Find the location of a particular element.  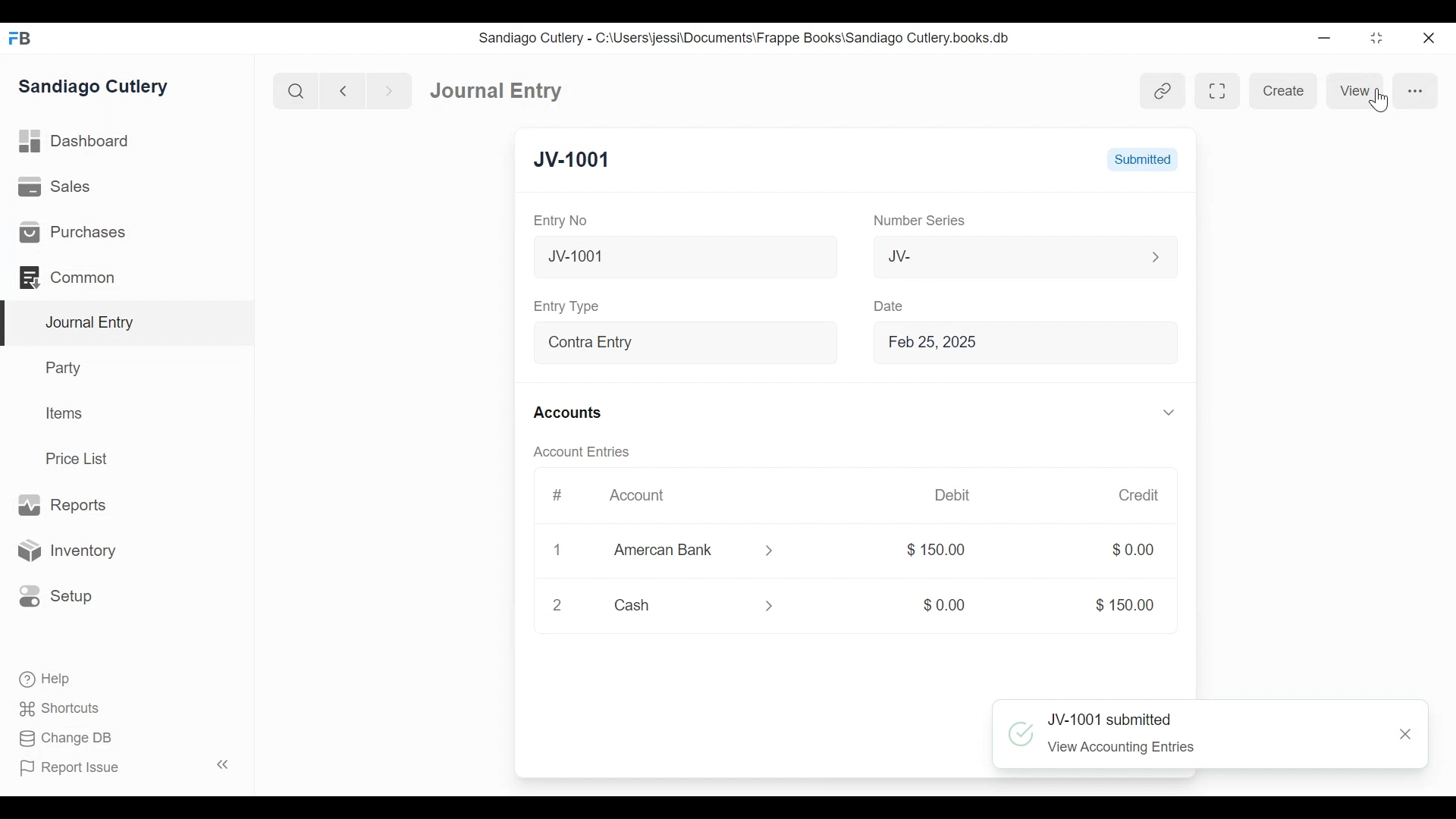

Price List is located at coordinates (82, 459).